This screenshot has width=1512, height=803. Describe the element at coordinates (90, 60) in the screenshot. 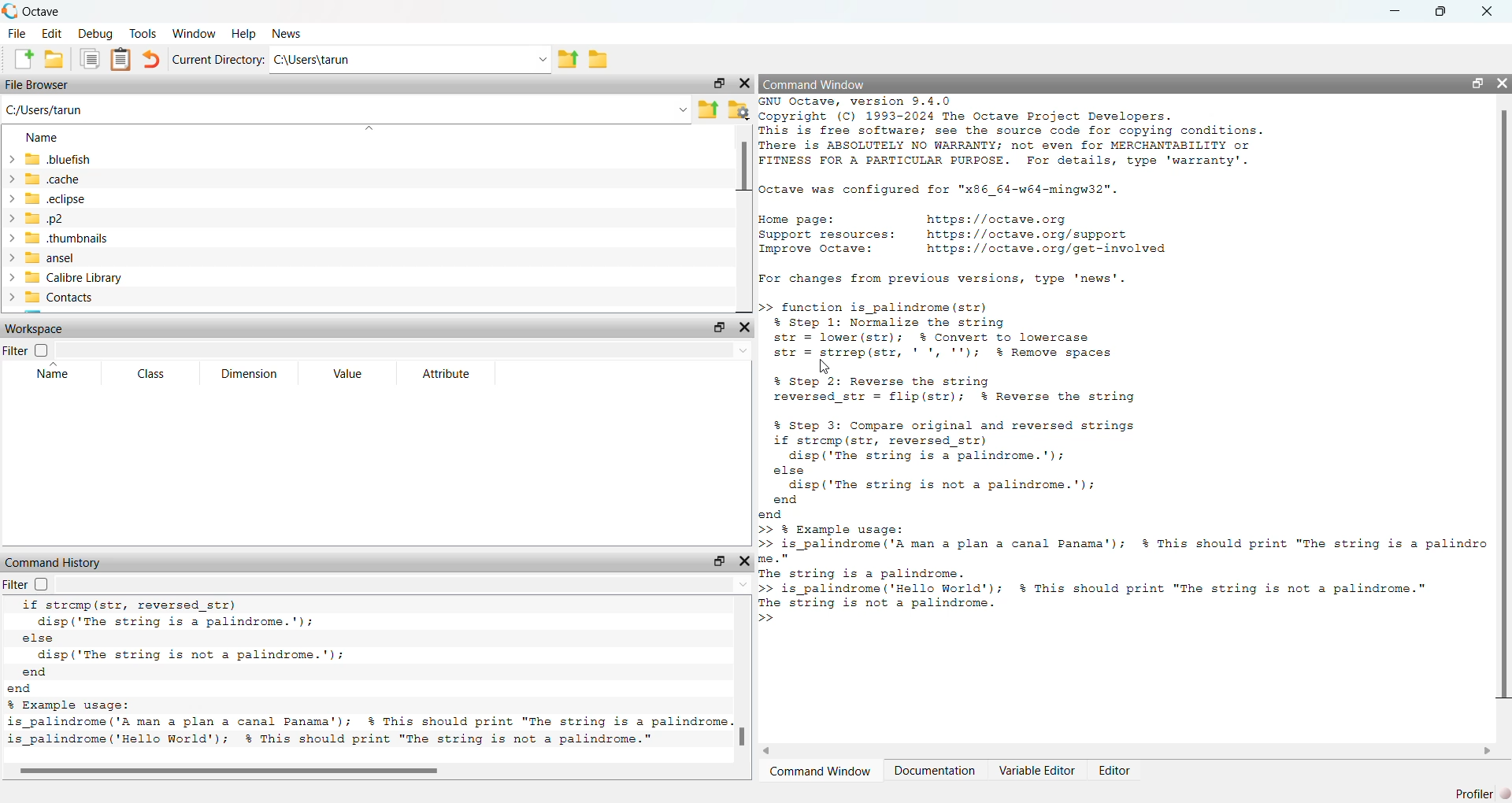

I see `copy` at that location.